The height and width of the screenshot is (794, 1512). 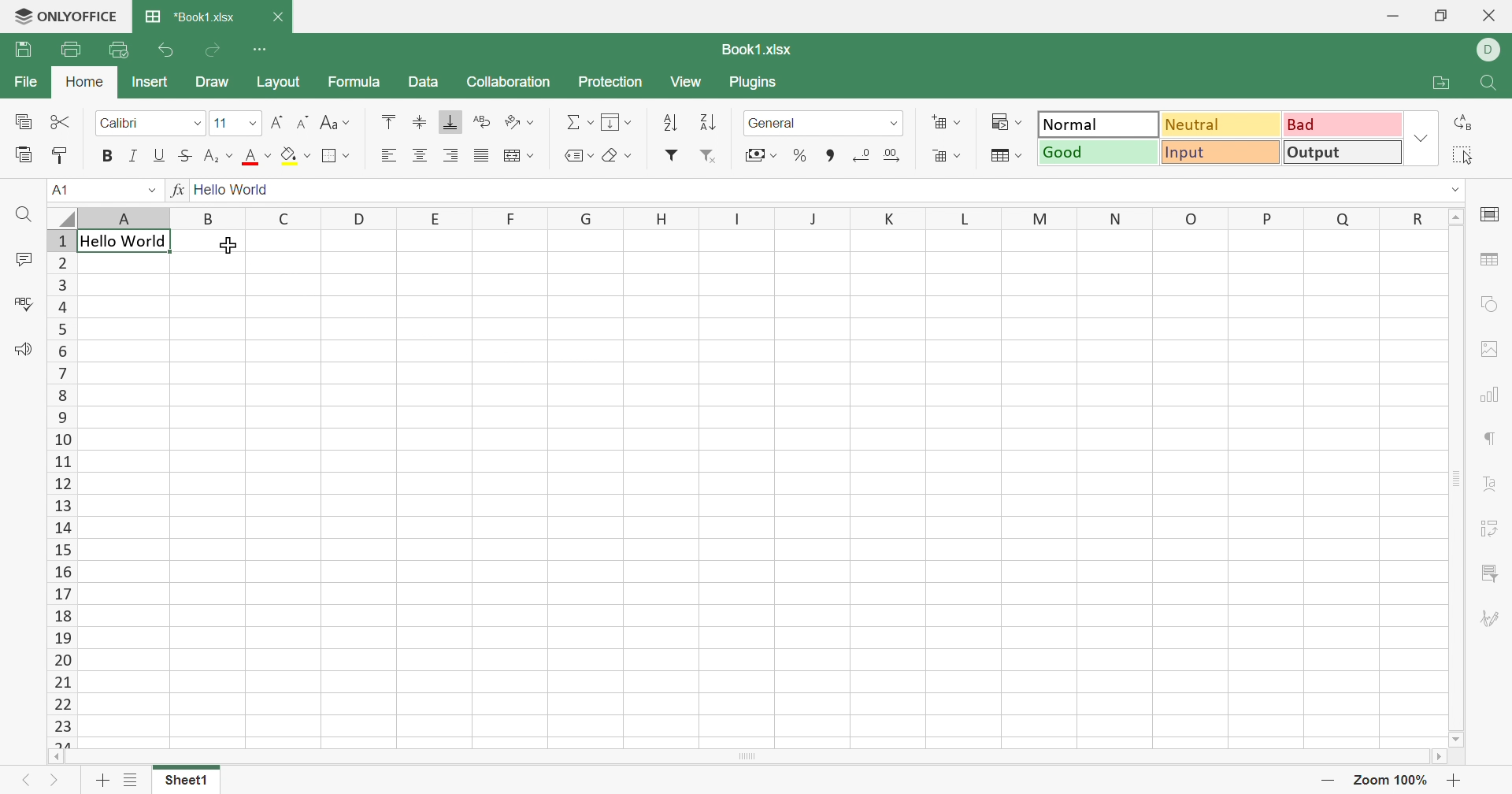 What do you see at coordinates (1488, 396) in the screenshot?
I see `chart settings` at bounding box center [1488, 396].